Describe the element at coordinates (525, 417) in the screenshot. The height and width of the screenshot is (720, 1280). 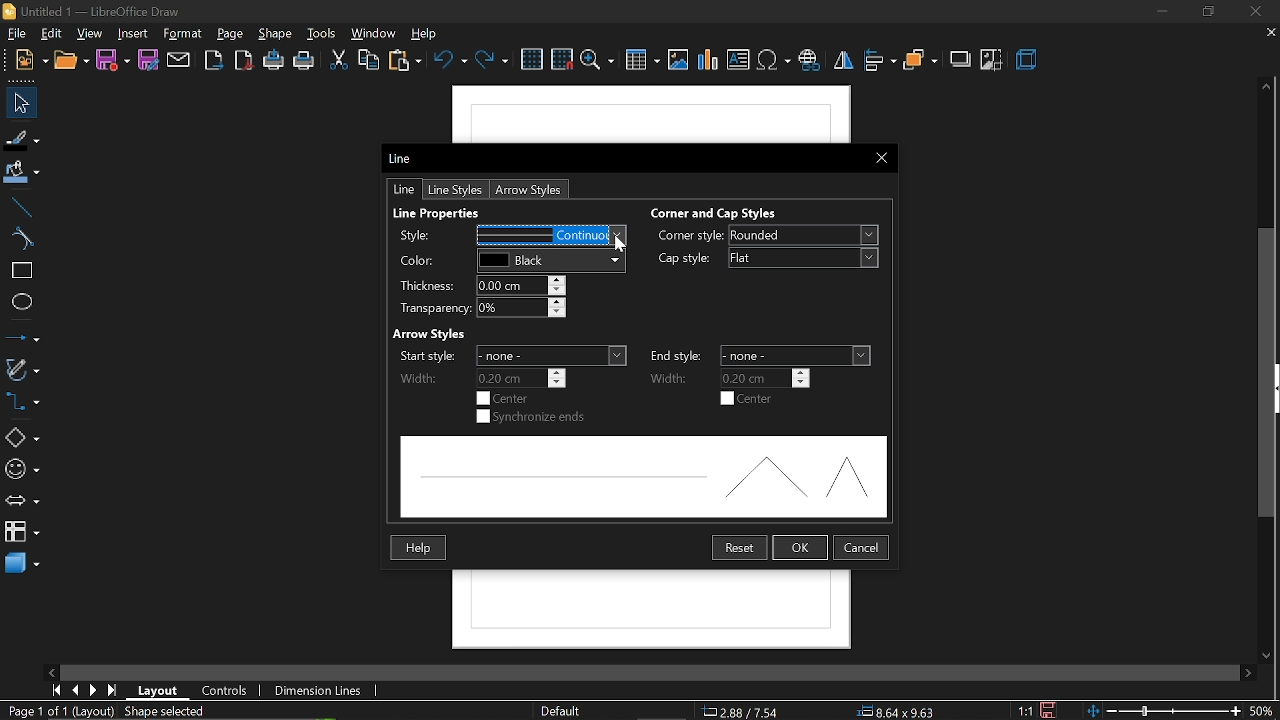
I see `synchronize ends` at that location.